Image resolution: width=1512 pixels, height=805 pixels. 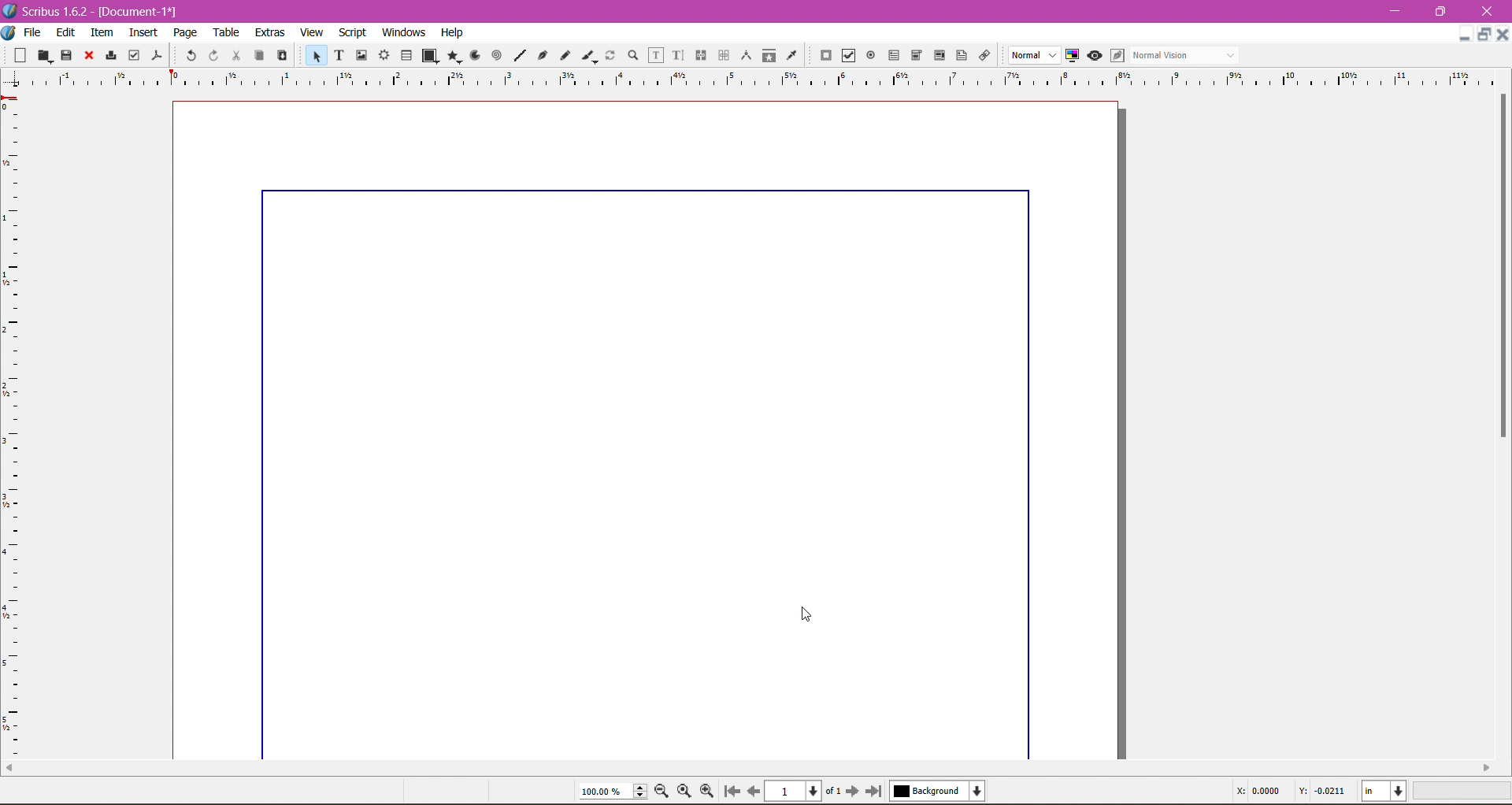 I want to click on Rotate Item, so click(x=610, y=55).